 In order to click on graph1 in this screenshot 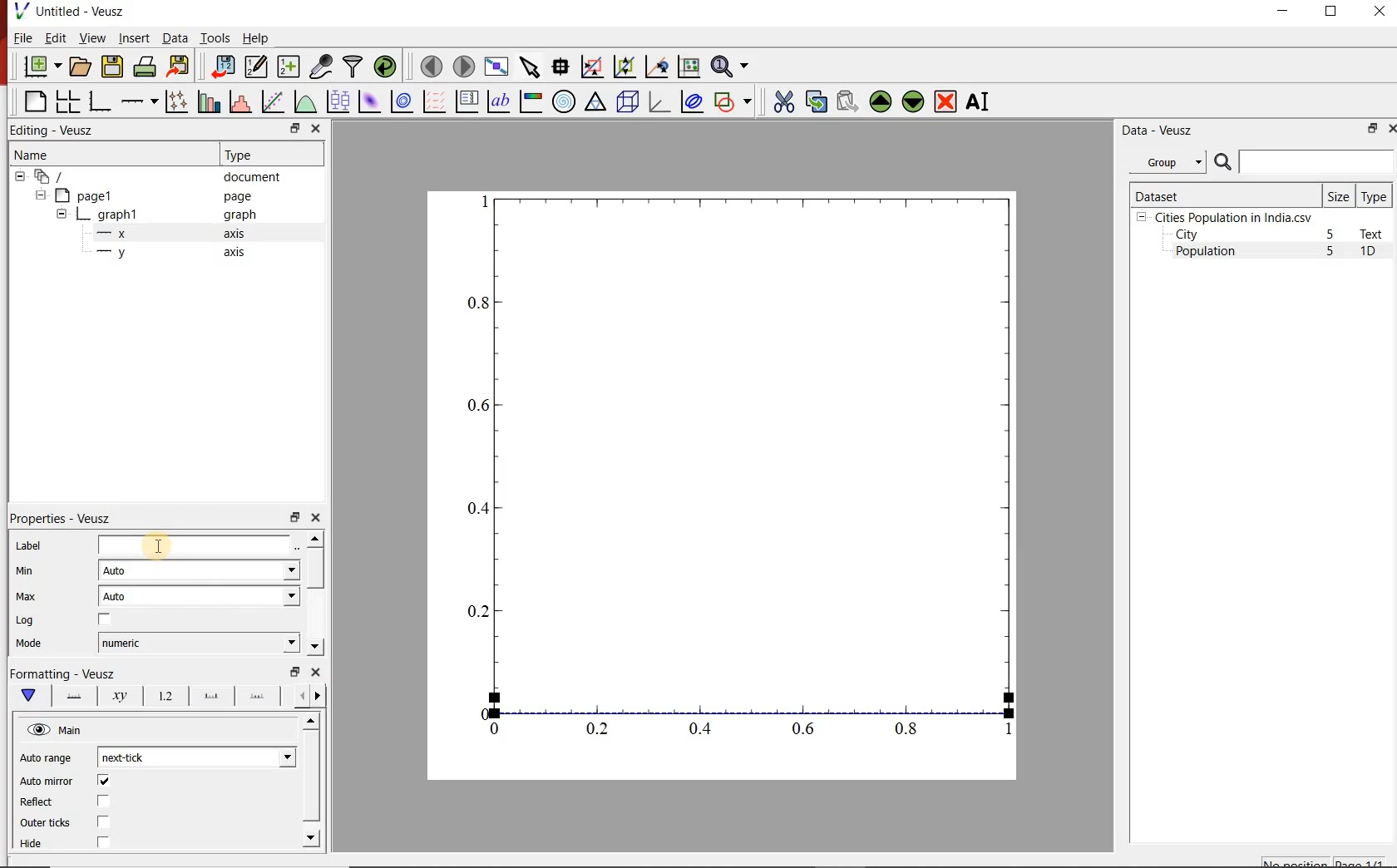, I will do `click(743, 481)`.